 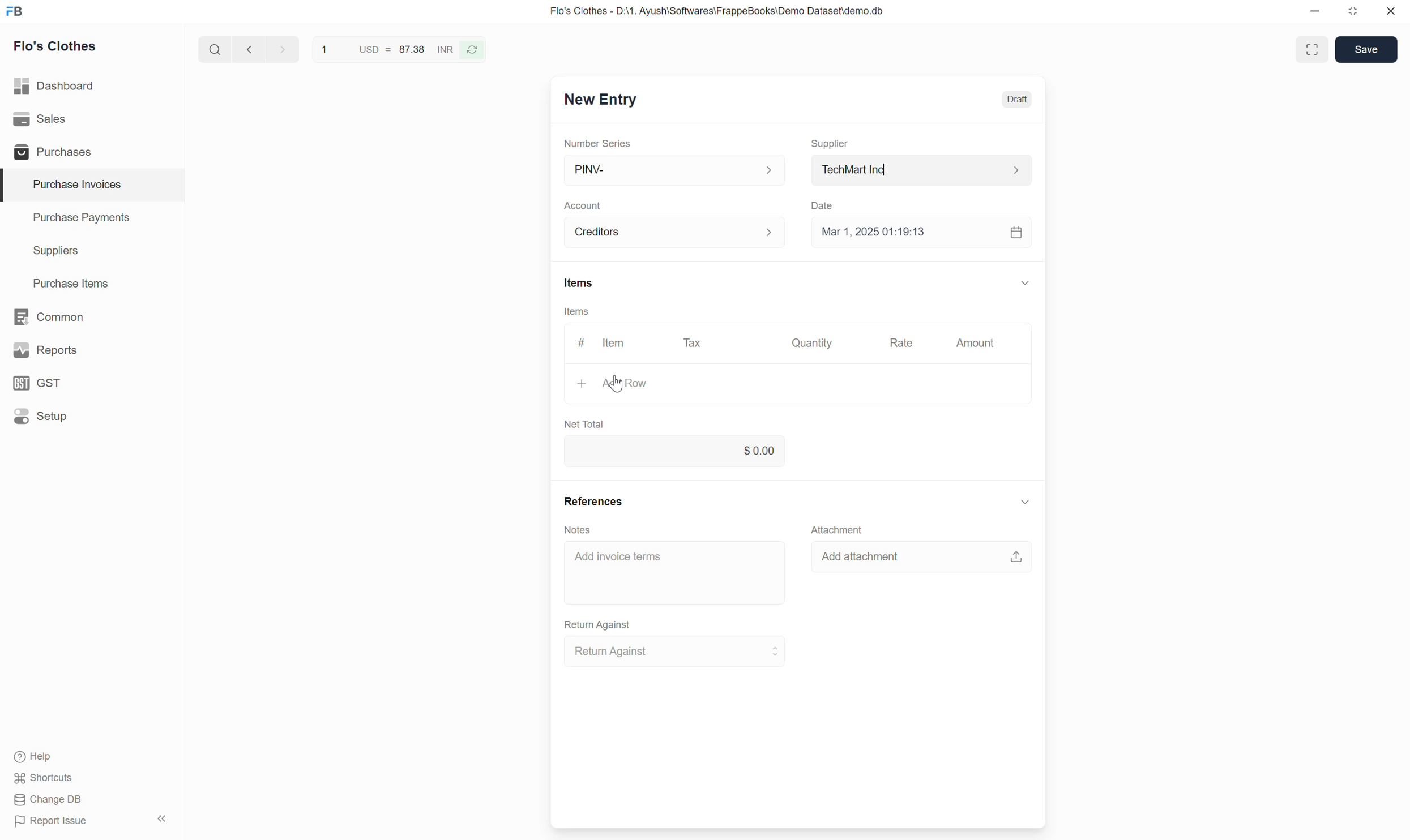 I want to click on References, so click(x=595, y=501).